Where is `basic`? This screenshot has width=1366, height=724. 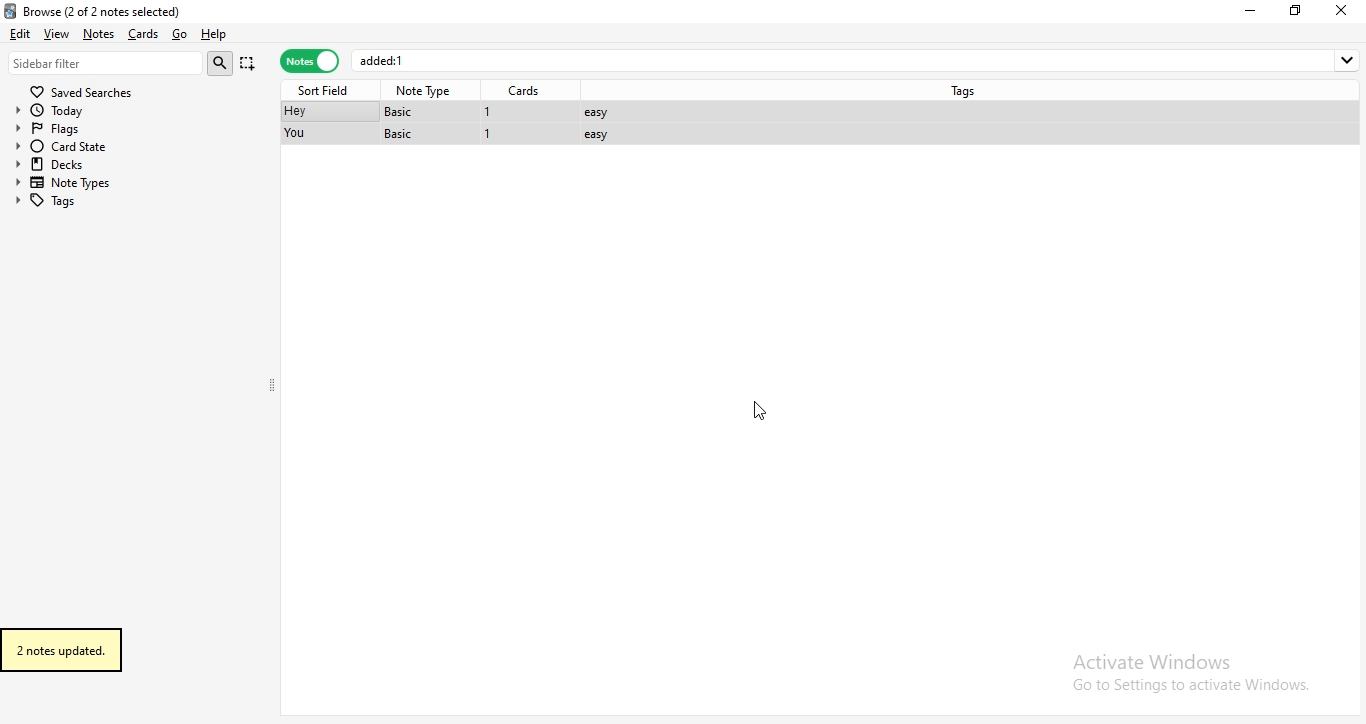
basic is located at coordinates (405, 111).